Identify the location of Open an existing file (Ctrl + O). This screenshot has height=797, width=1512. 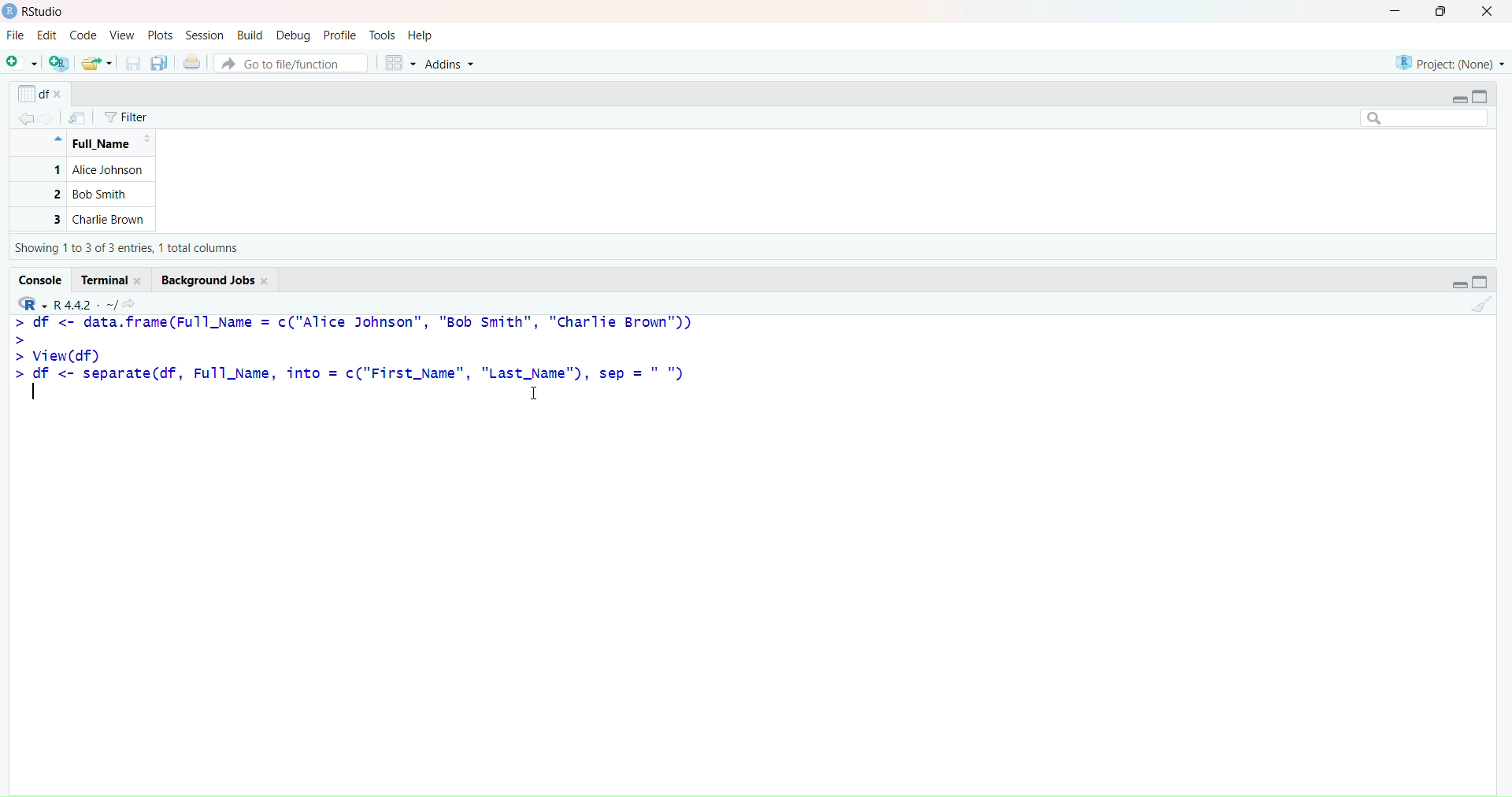
(98, 63).